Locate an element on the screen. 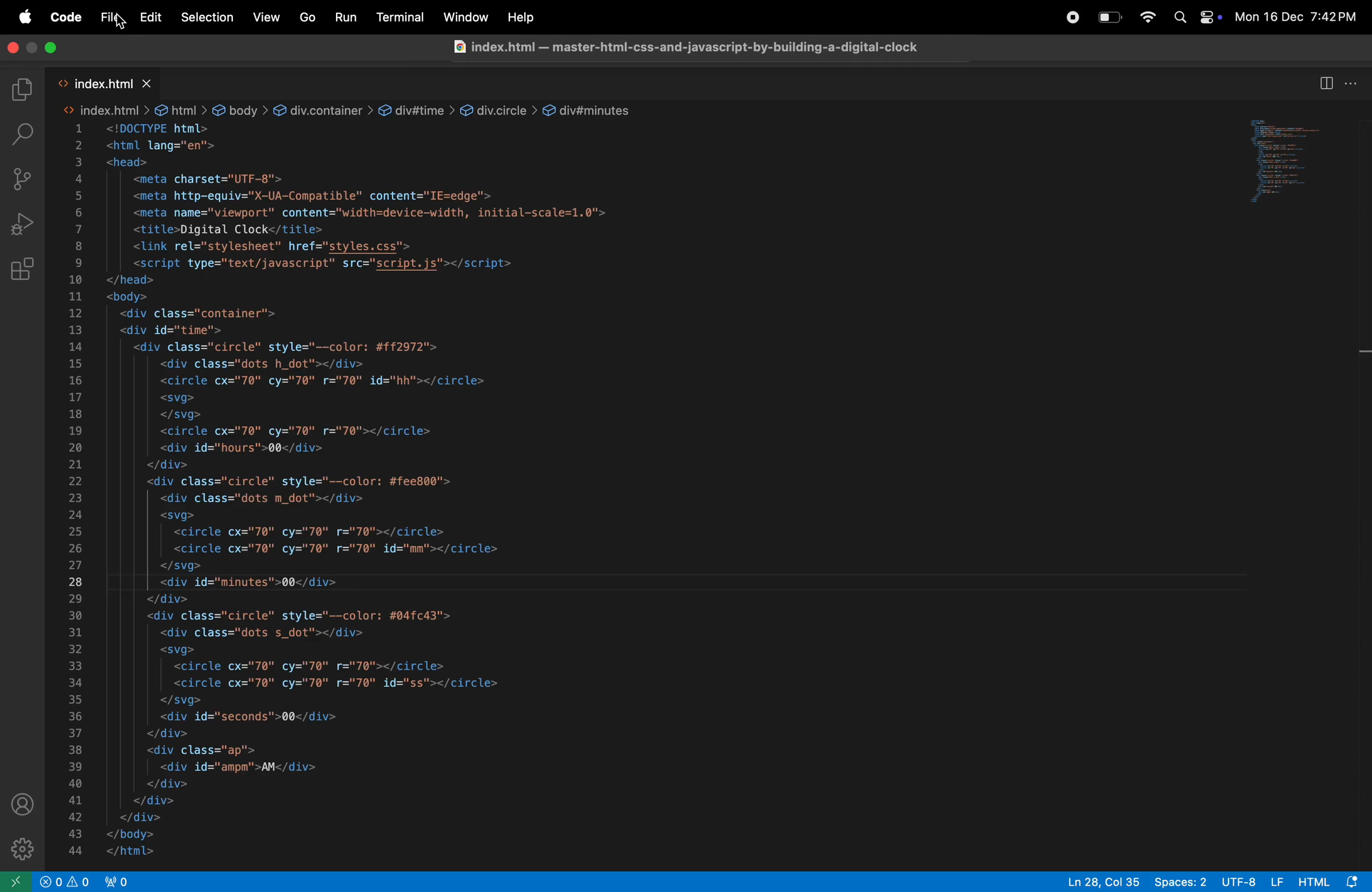  profile is located at coordinates (22, 806).